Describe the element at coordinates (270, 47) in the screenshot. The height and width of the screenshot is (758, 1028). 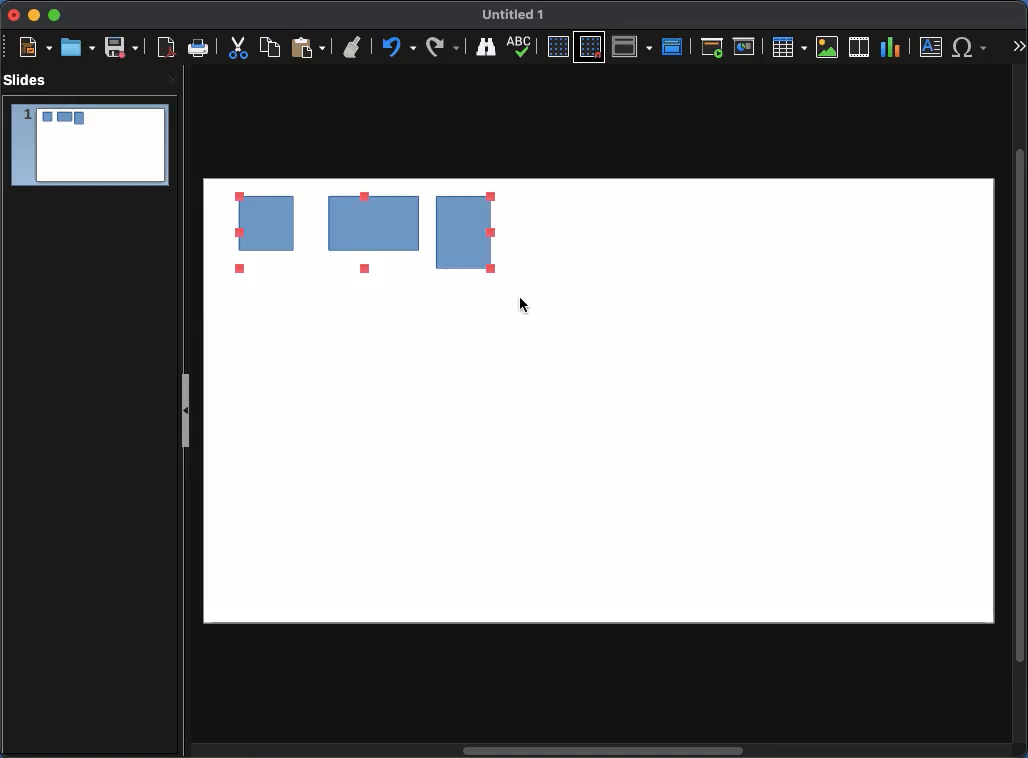
I see `Copy` at that location.